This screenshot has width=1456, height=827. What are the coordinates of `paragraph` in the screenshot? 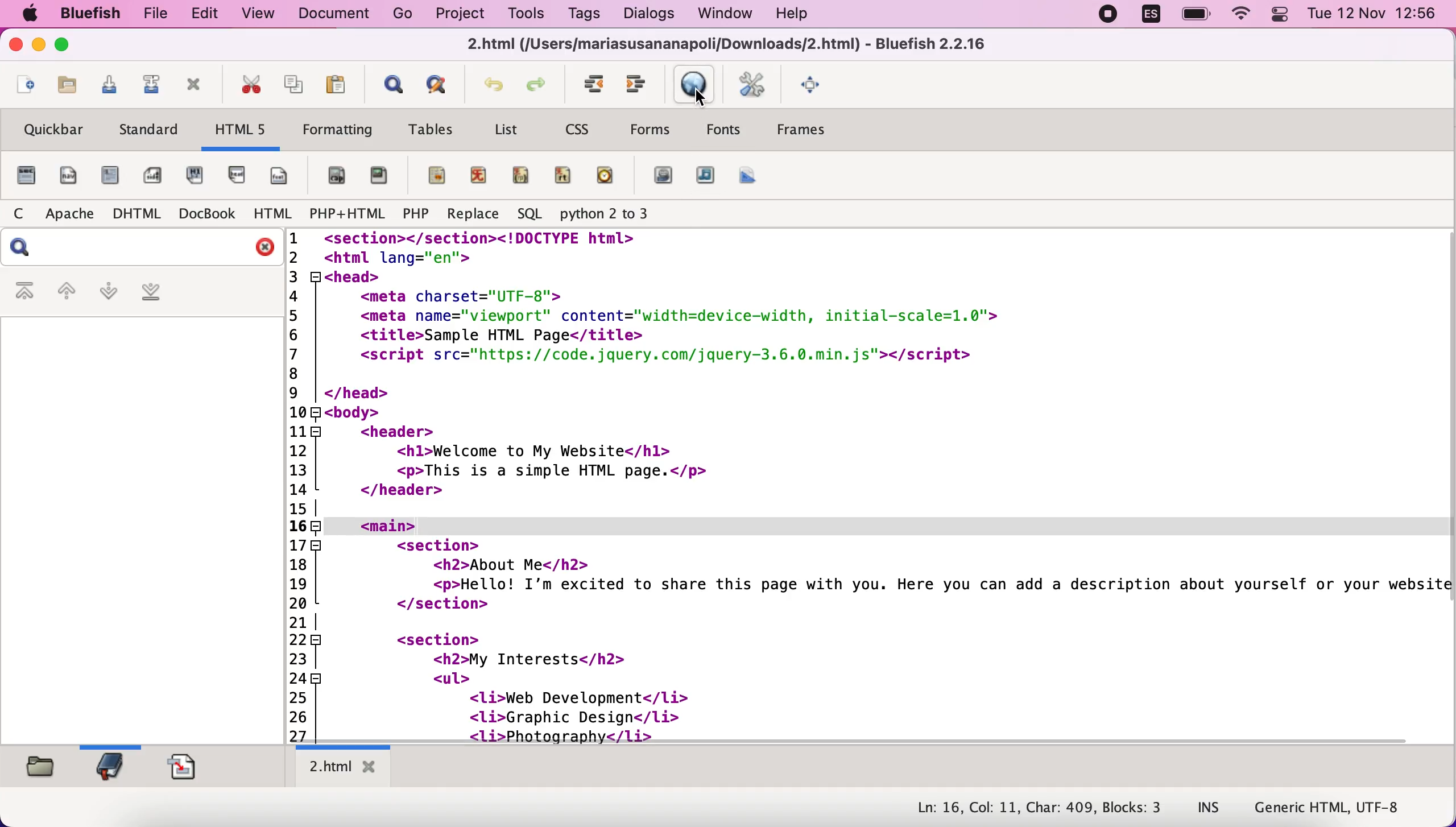 It's located at (197, 177).